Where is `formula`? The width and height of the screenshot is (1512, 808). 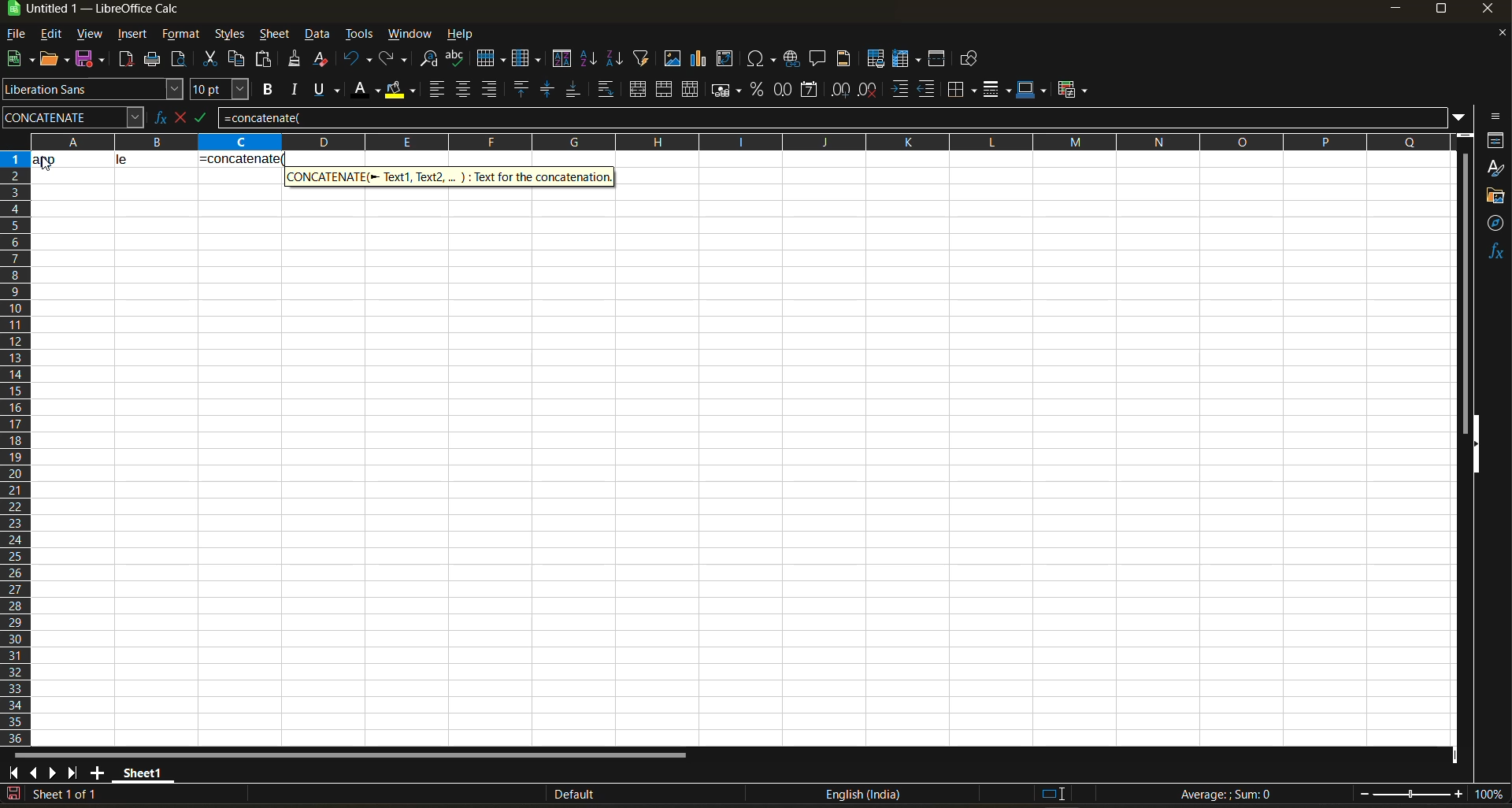
formula is located at coordinates (1231, 796).